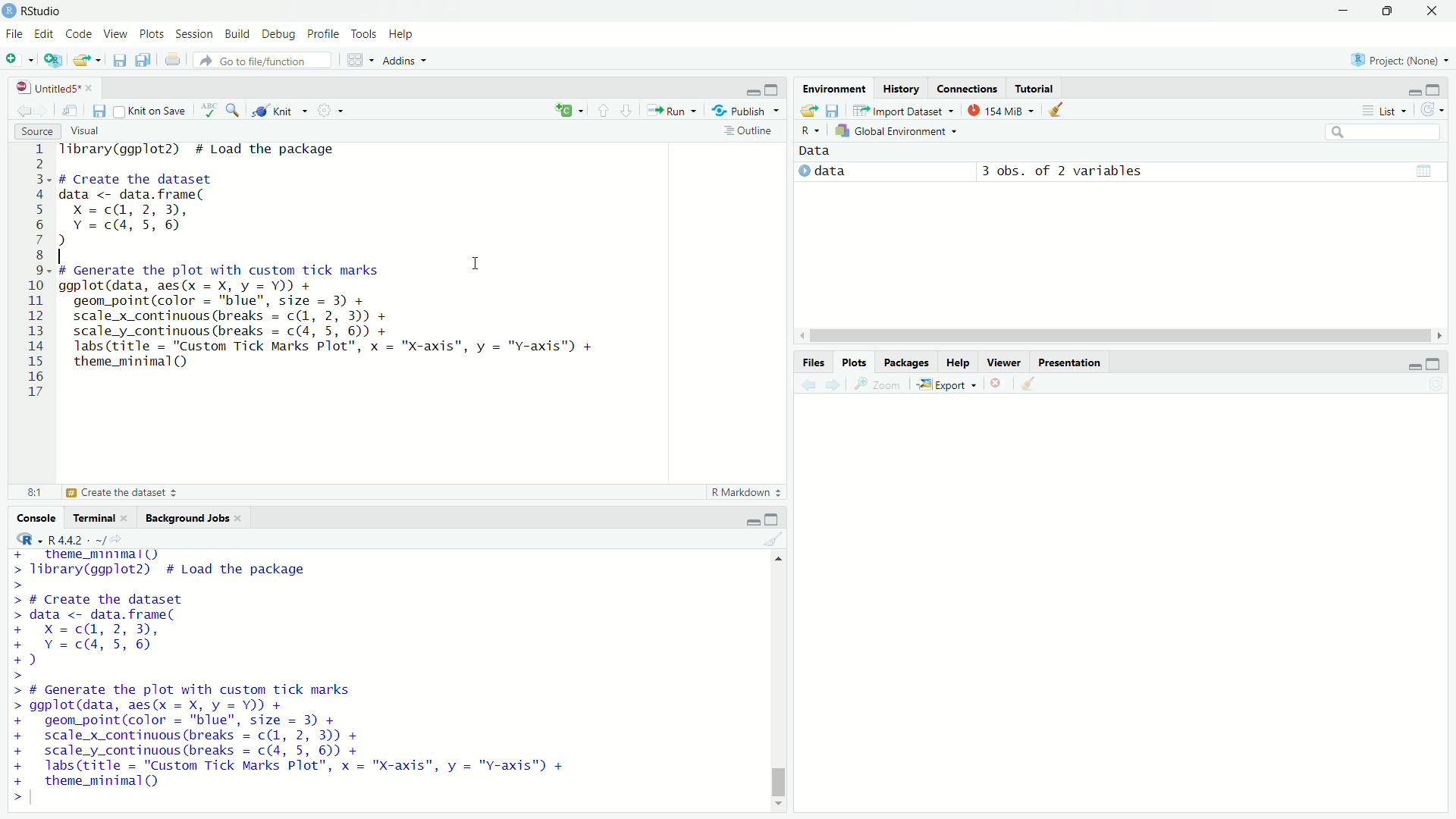  I want to click on session, so click(194, 34).